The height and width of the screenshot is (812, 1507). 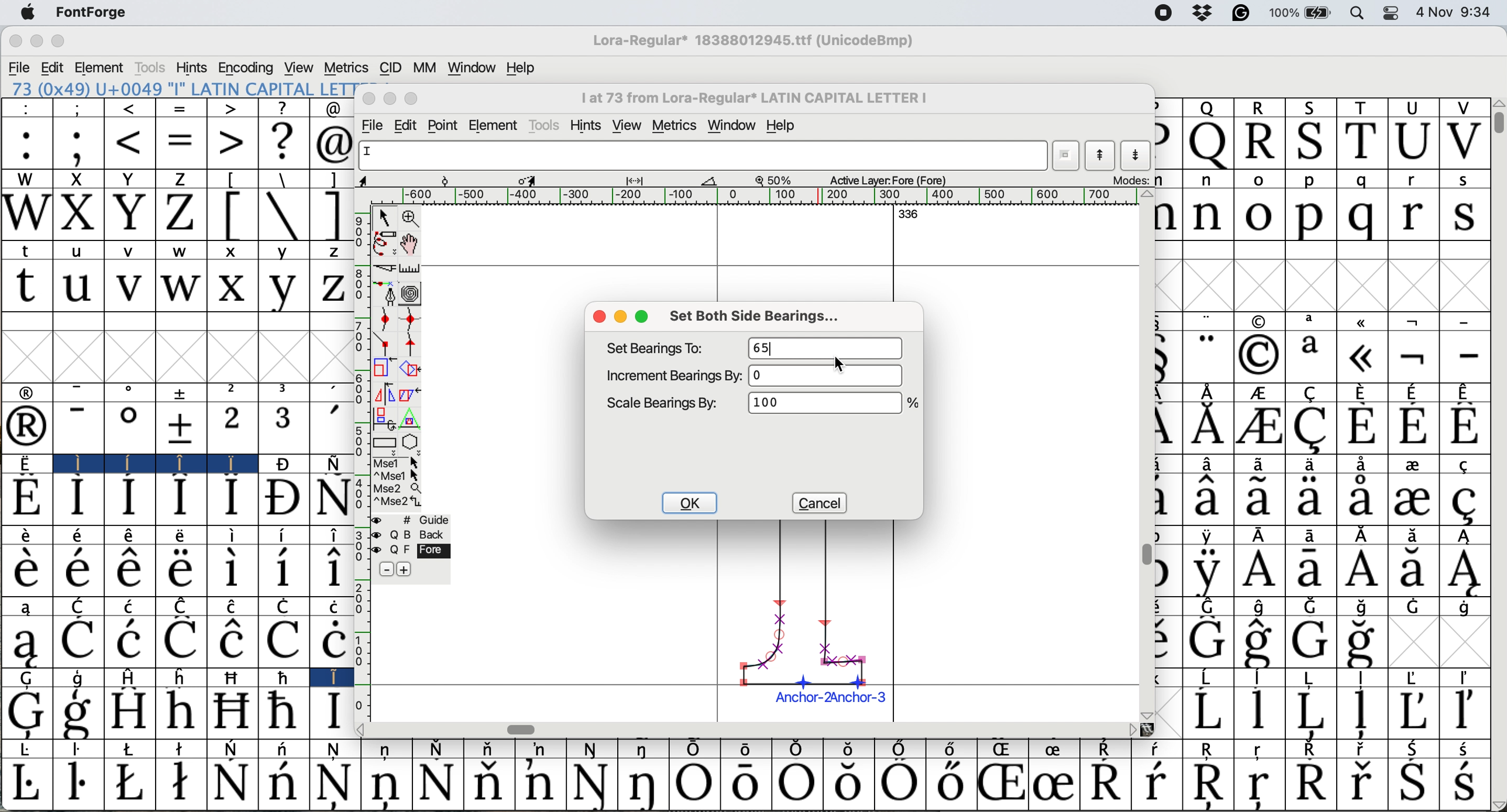 What do you see at coordinates (130, 782) in the screenshot?
I see `Symbol` at bounding box center [130, 782].